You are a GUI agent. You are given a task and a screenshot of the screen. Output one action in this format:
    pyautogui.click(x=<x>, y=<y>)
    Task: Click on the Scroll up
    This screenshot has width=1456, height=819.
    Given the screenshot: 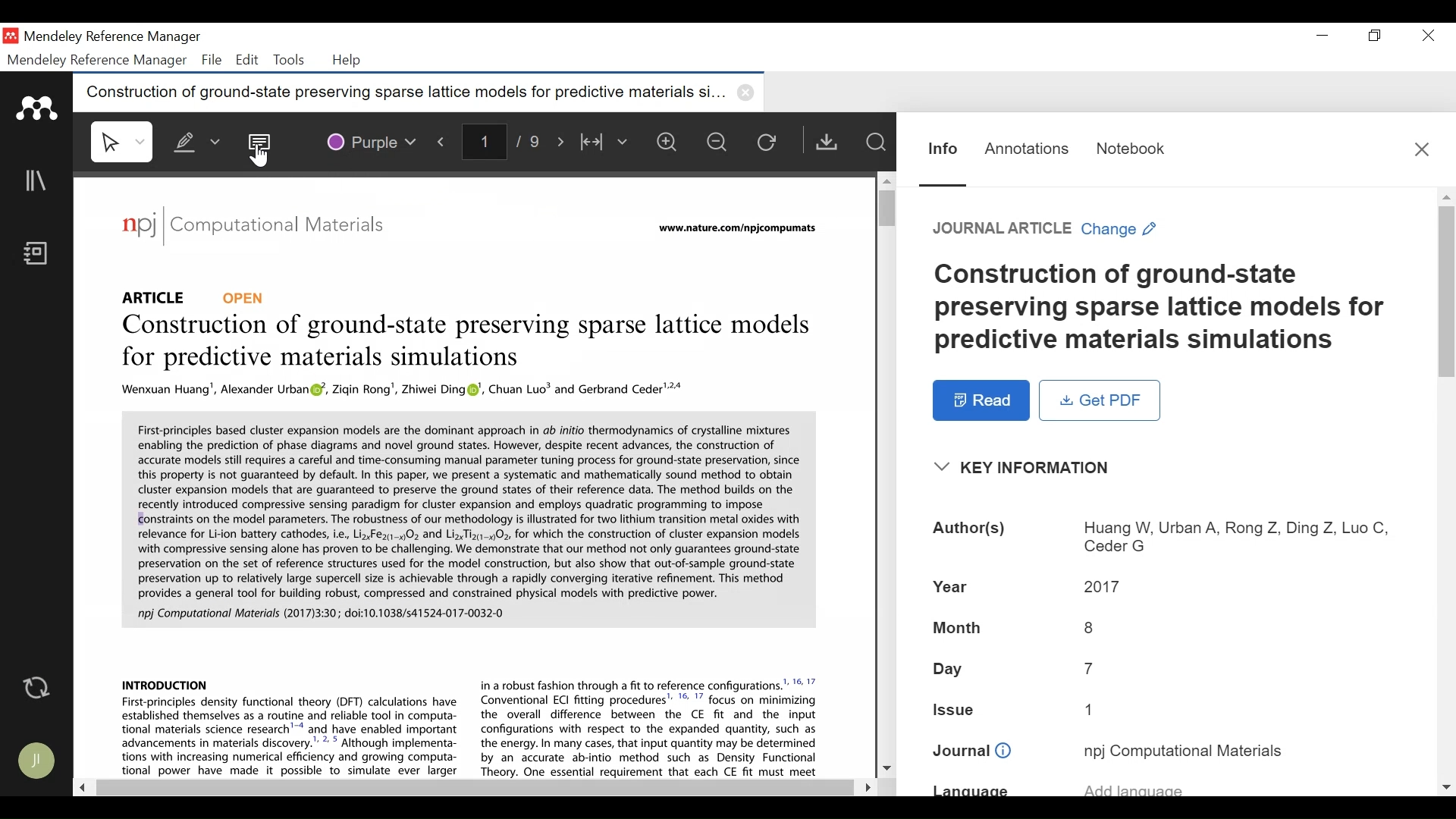 What is the action you would take?
    pyautogui.click(x=886, y=178)
    